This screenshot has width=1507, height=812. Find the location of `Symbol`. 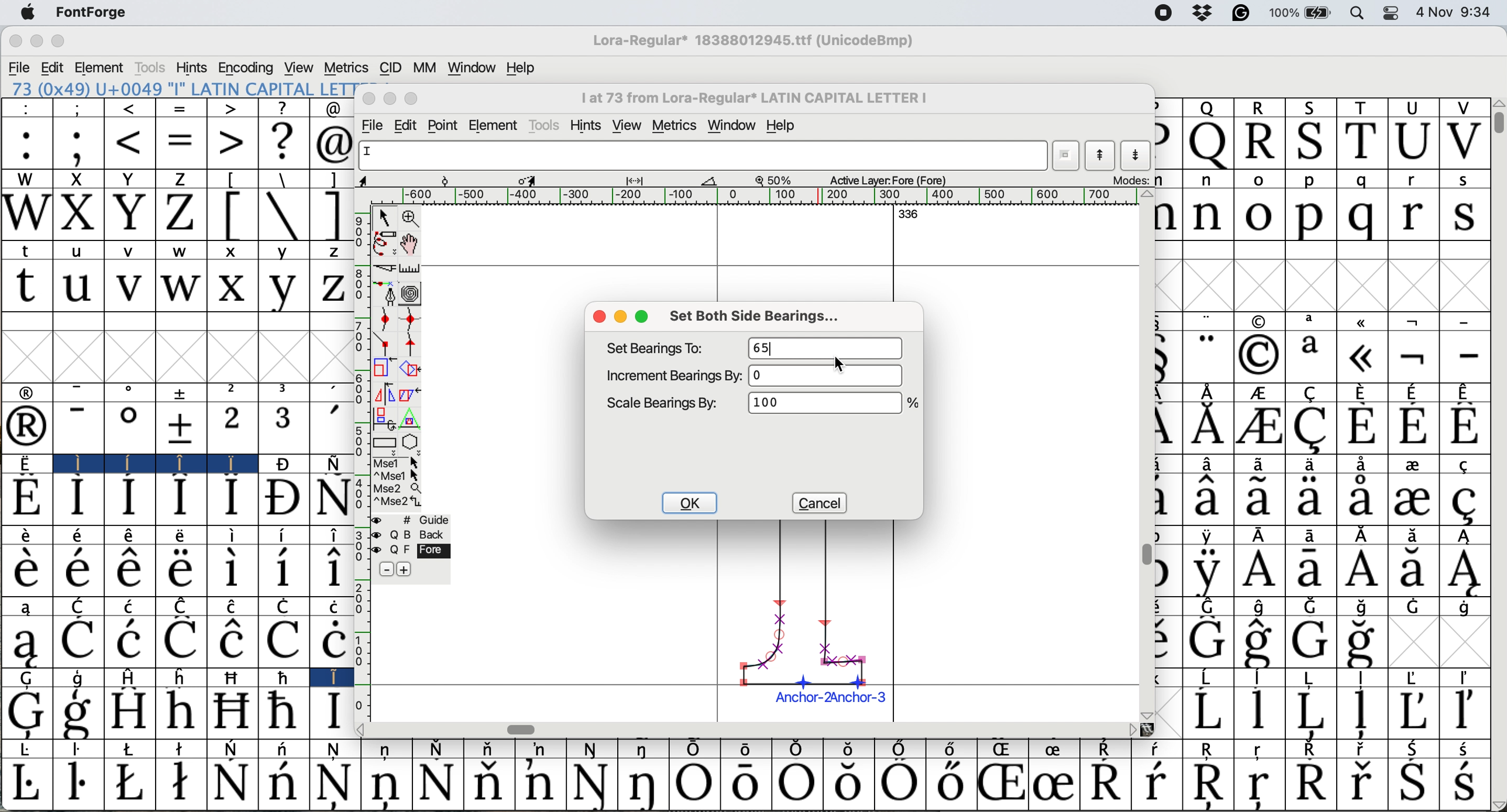

Symbol is located at coordinates (132, 749).